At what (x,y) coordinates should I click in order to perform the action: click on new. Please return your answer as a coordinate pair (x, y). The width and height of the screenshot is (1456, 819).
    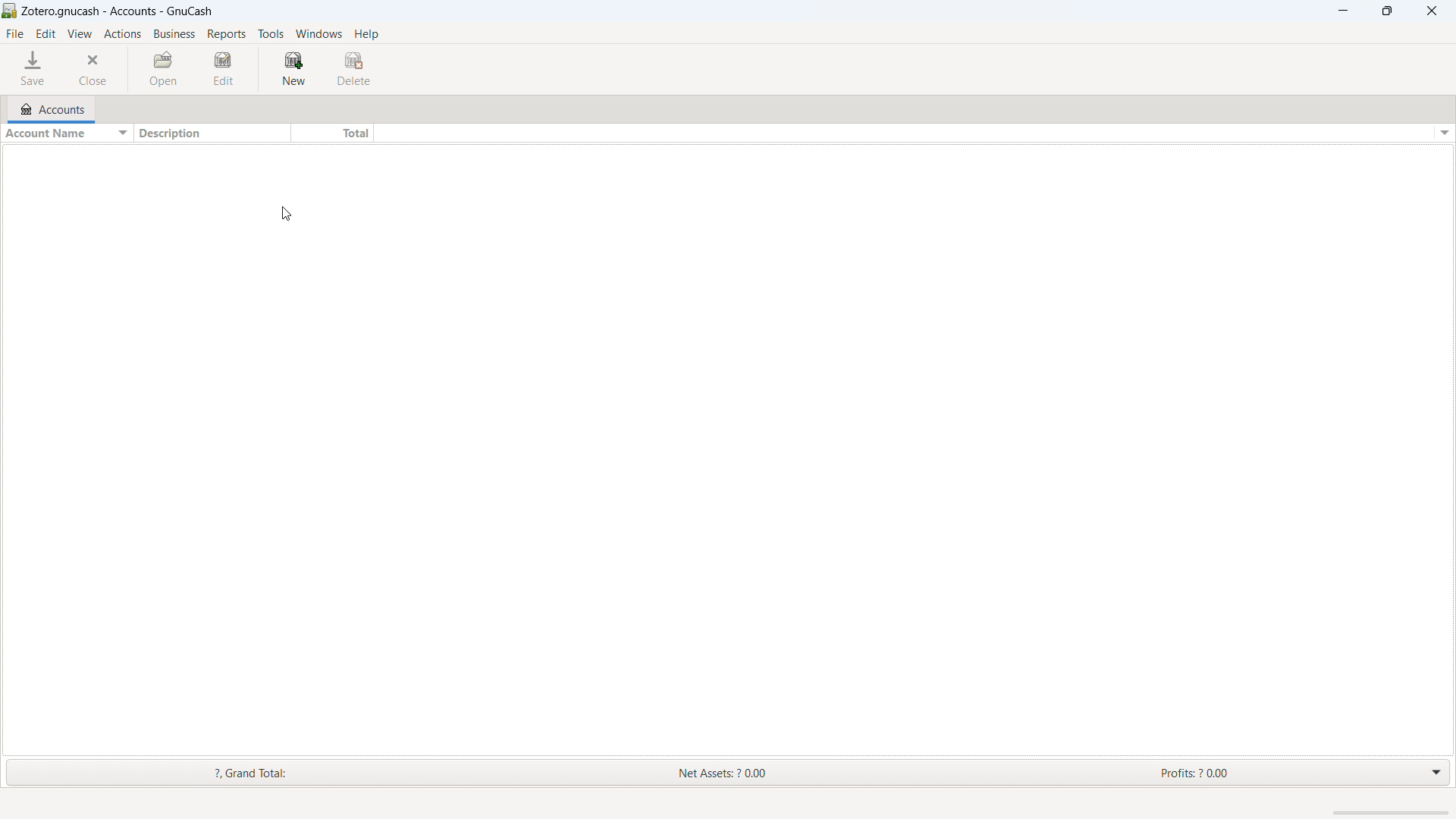
    Looking at the image, I should click on (292, 67).